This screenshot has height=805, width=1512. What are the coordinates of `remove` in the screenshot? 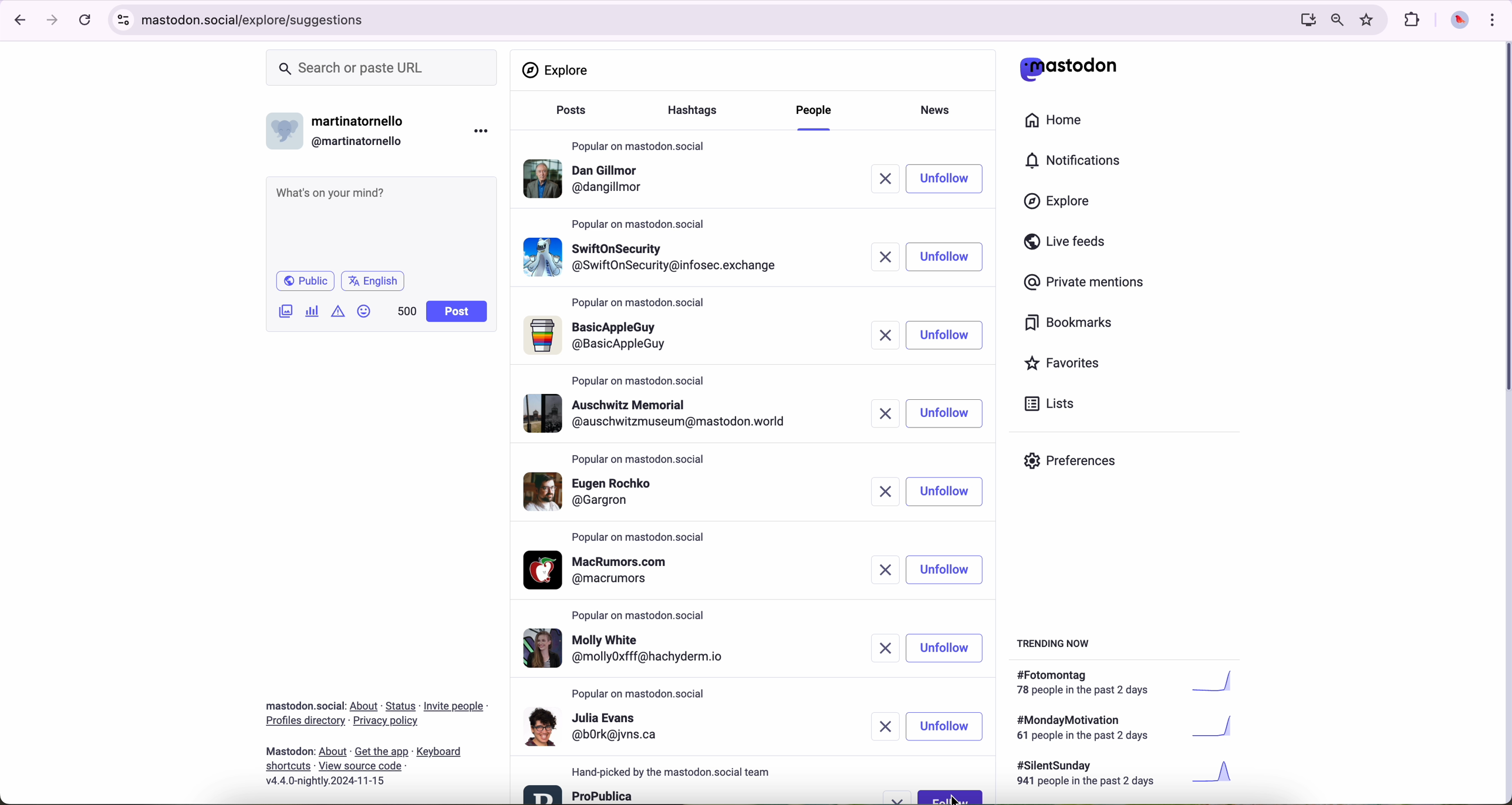 It's located at (887, 256).